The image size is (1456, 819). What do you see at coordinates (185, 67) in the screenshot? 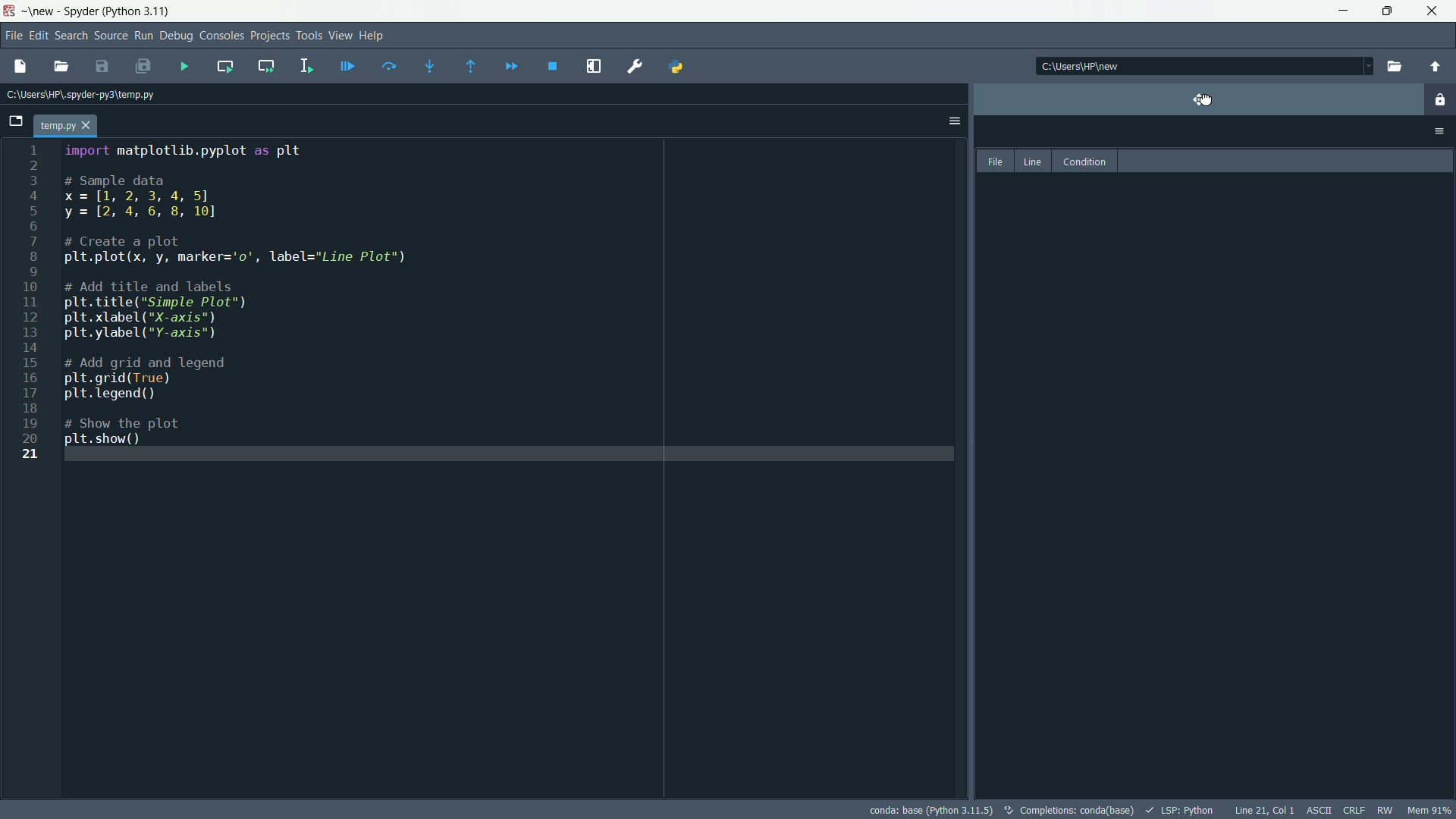
I see `run file` at bounding box center [185, 67].